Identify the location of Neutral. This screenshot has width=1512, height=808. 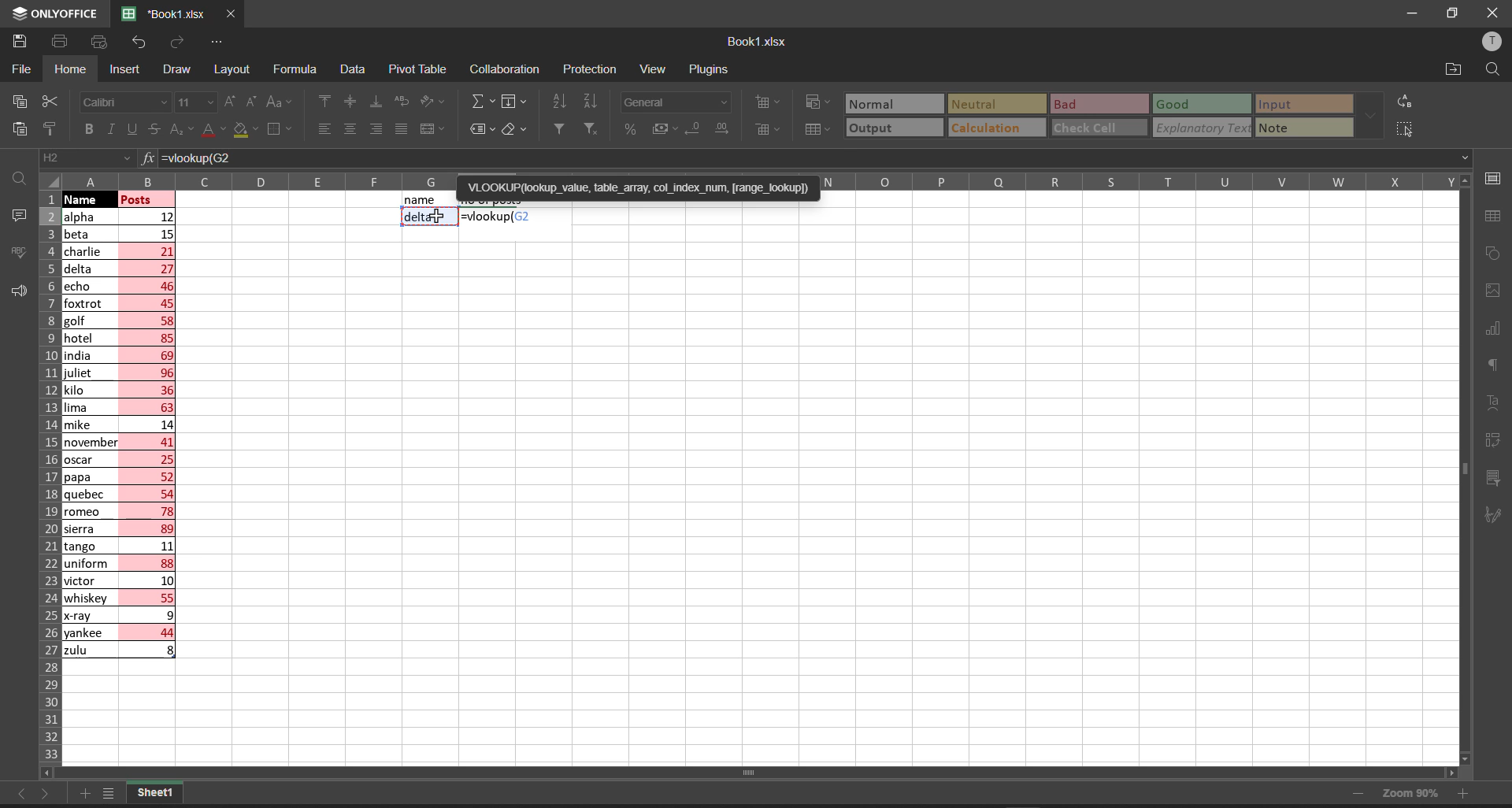
(976, 103).